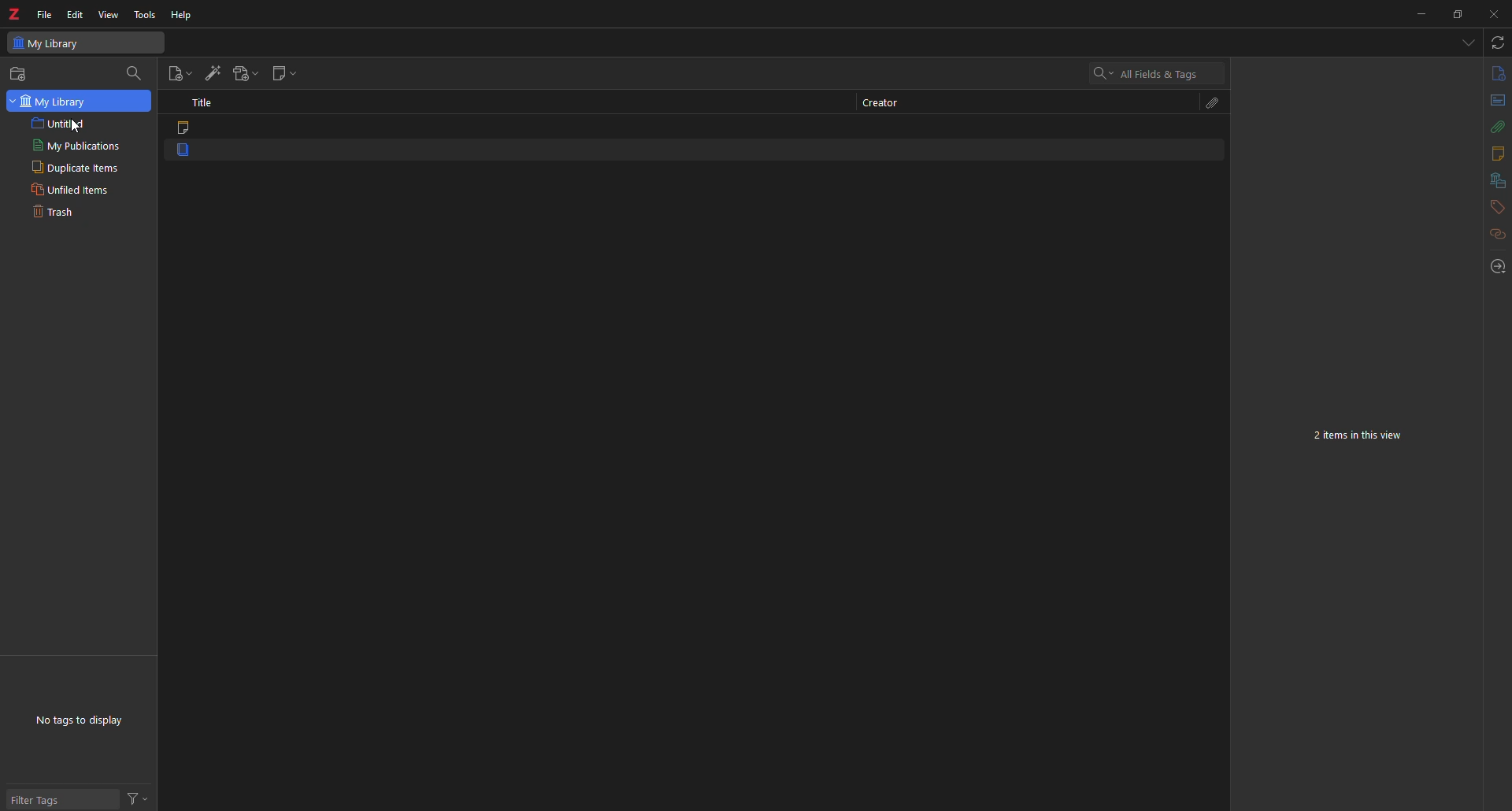  What do you see at coordinates (109, 14) in the screenshot?
I see `view` at bounding box center [109, 14].